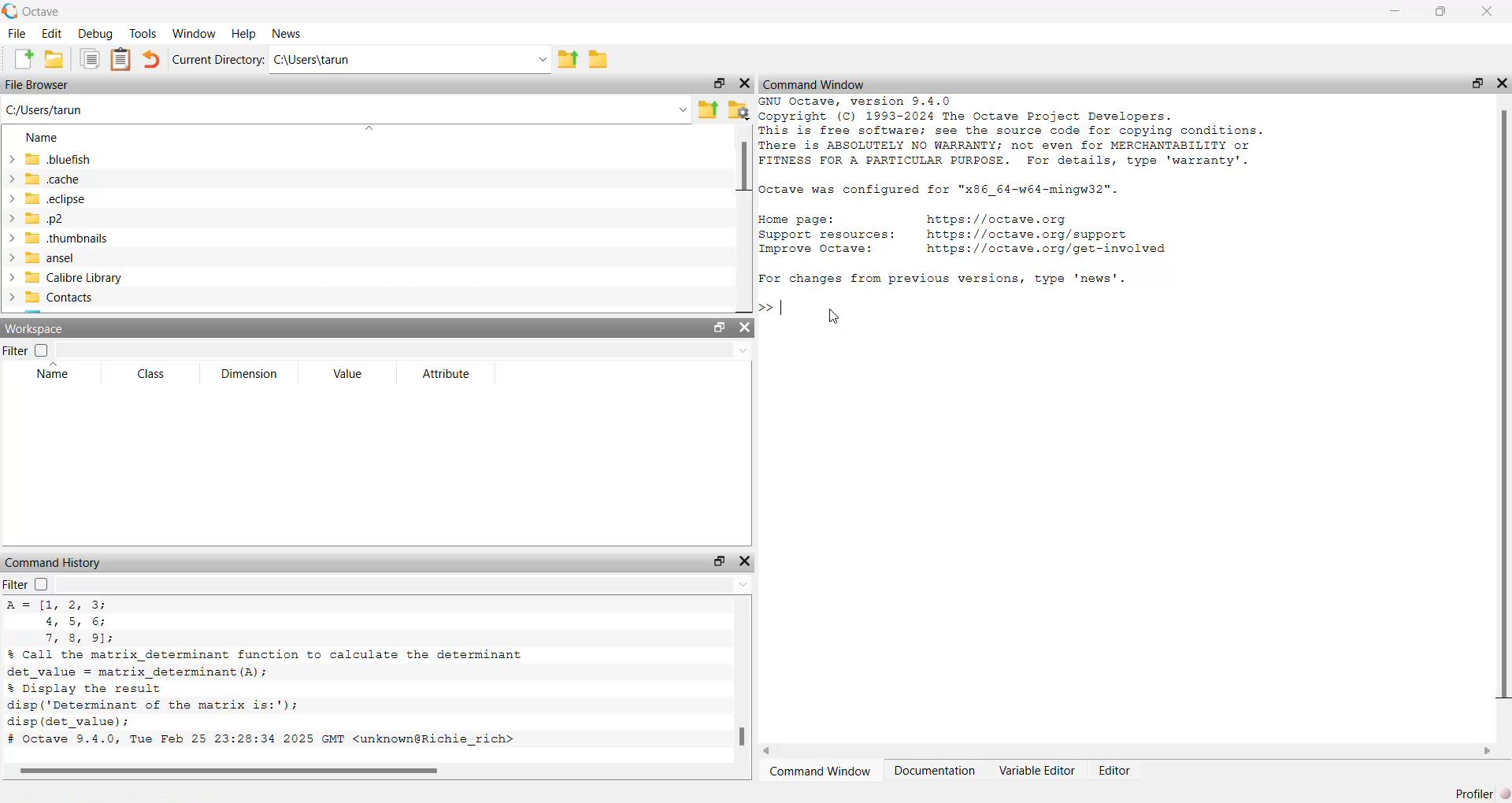 Image resolution: width=1512 pixels, height=803 pixels. I want to click on close, so click(746, 560).